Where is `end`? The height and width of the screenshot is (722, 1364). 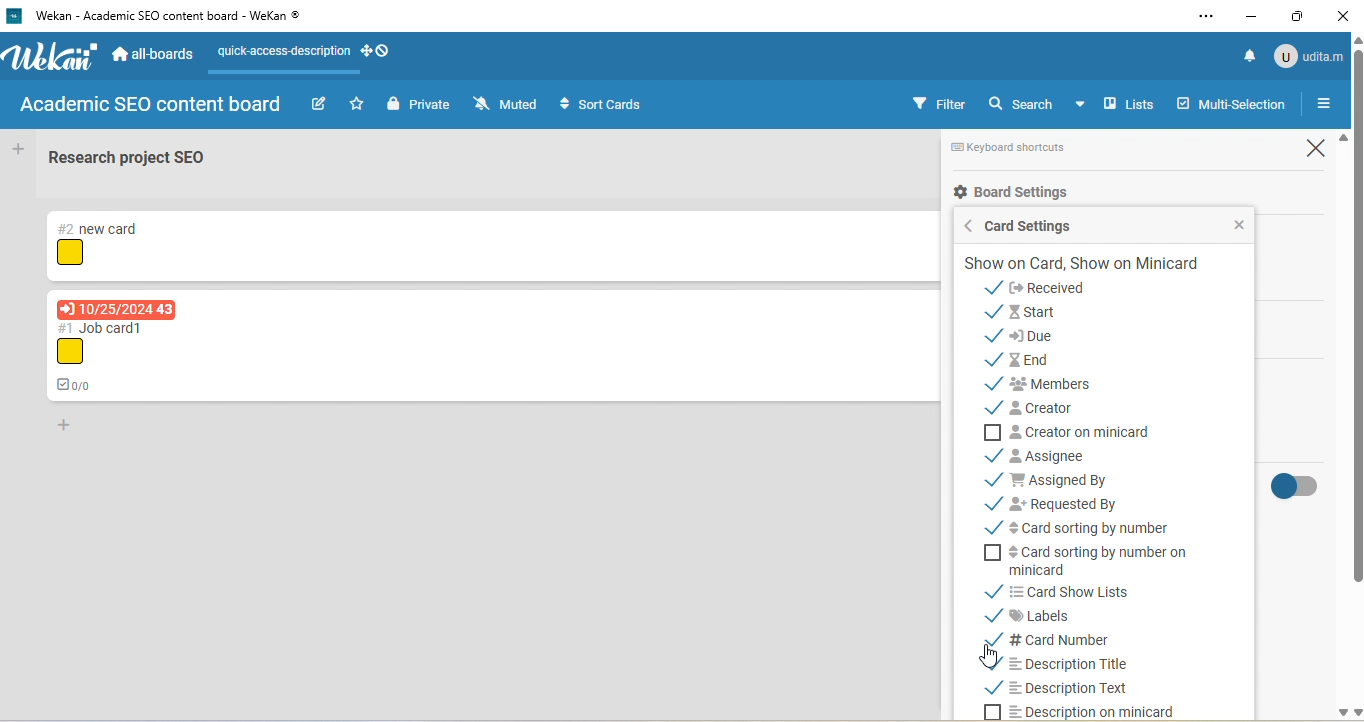
end is located at coordinates (1028, 361).